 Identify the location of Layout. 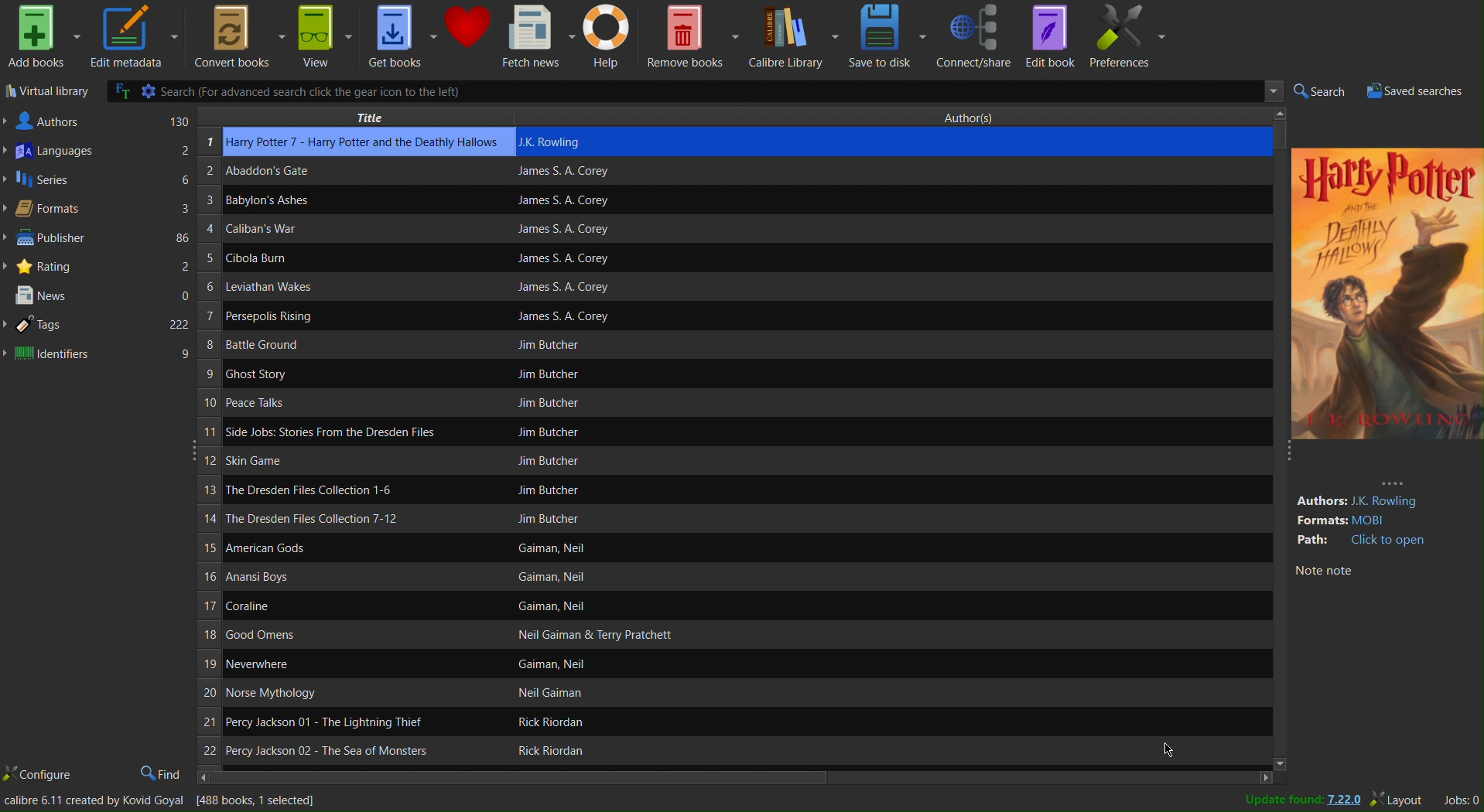
(1400, 800).